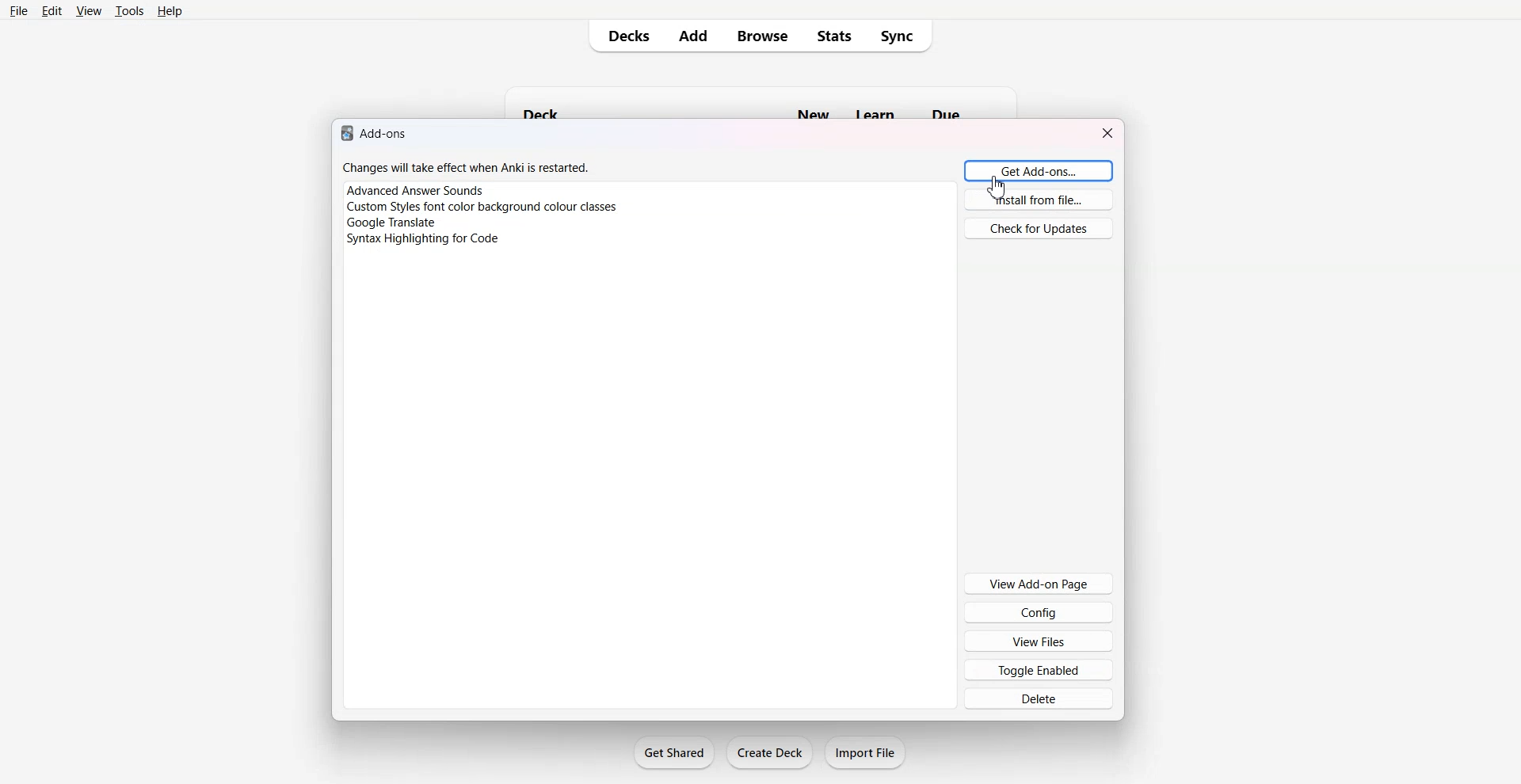  I want to click on Toggle Enabled, so click(1038, 669).